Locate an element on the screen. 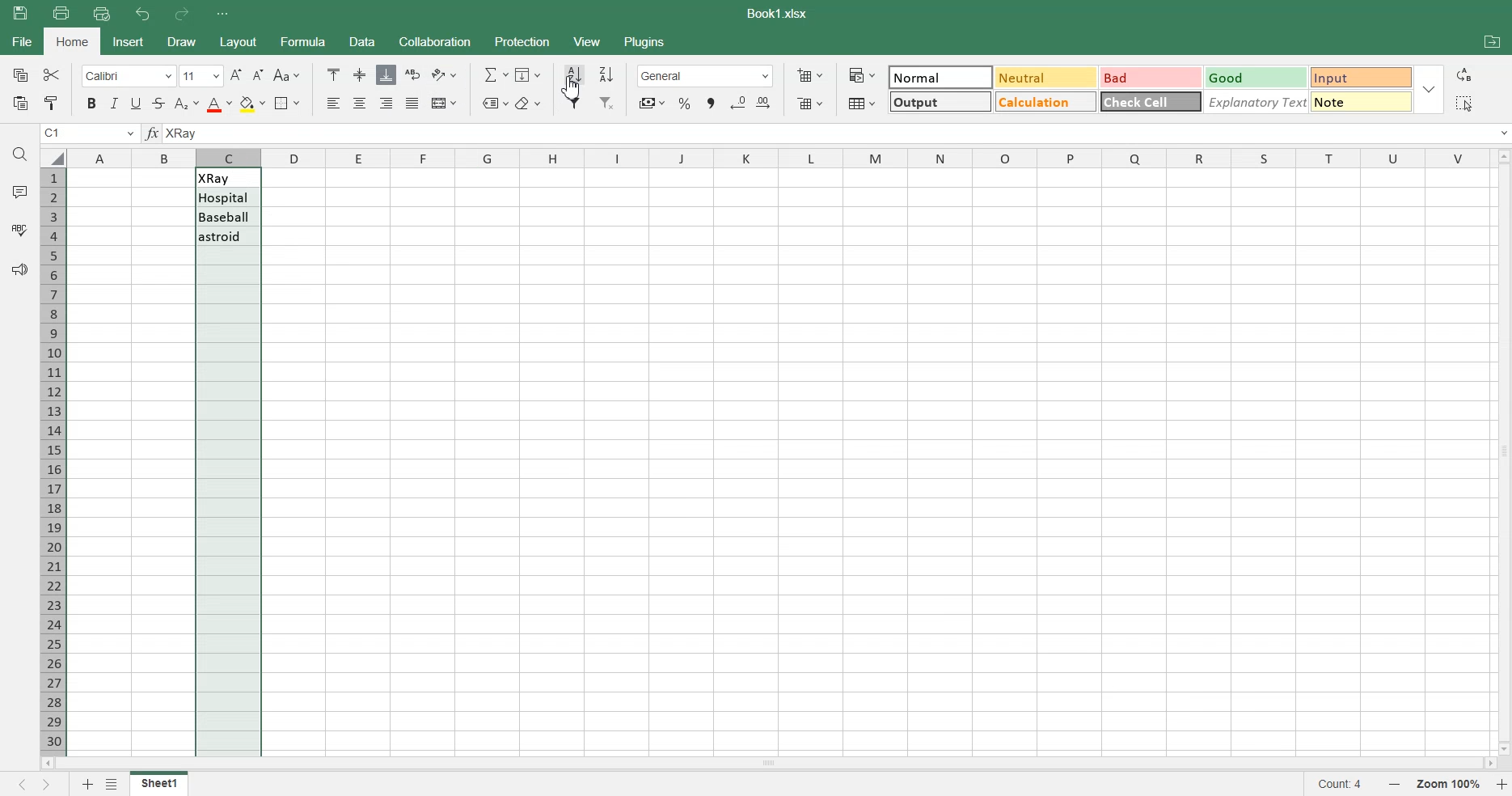 The width and height of the screenshot is (1512, 796). Replace is located at coordinates (1467, 74).